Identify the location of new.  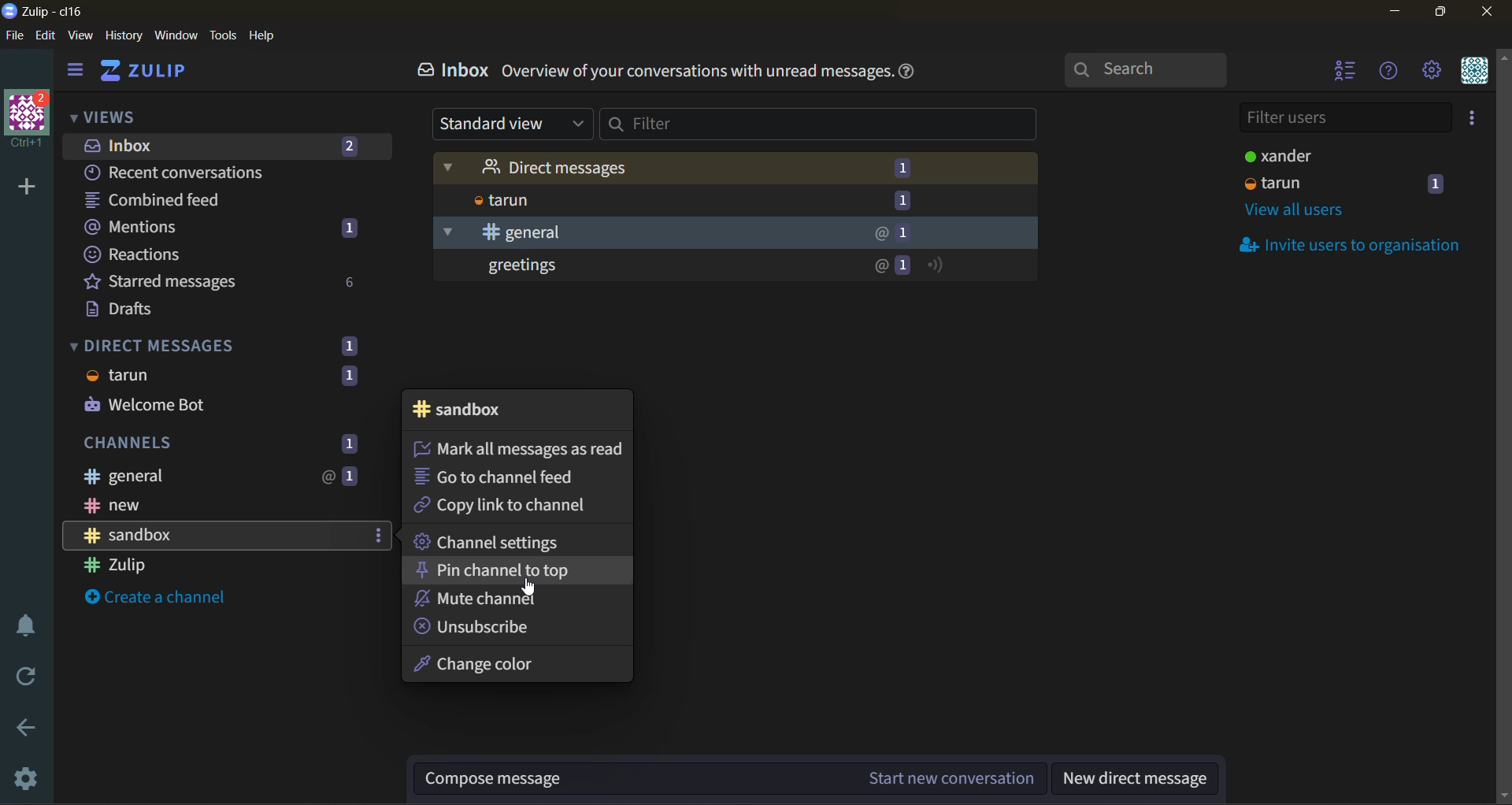
(217, 506).